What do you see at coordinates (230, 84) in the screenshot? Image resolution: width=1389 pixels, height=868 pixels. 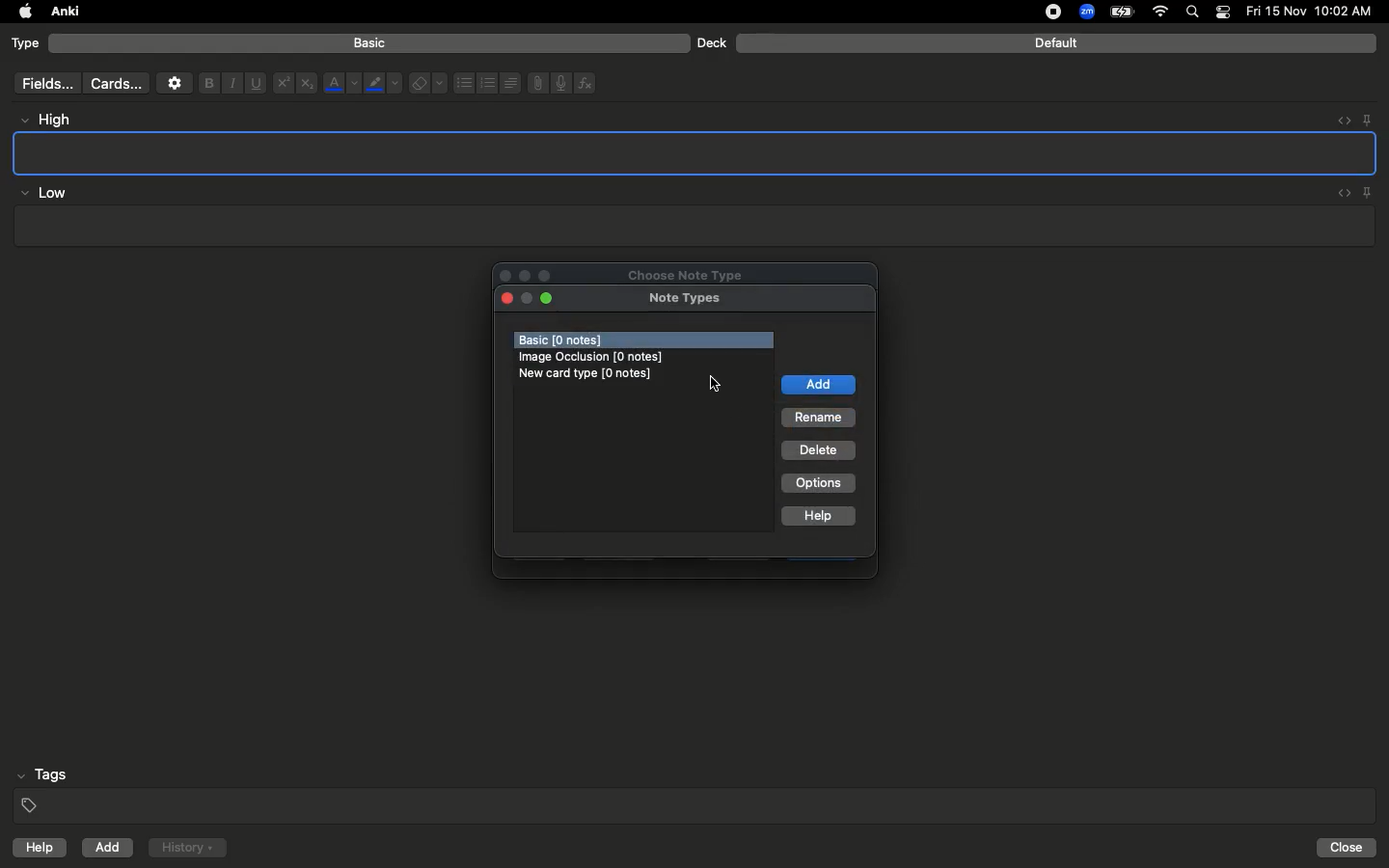 I see `Italics` at bounding box center [230, 84].